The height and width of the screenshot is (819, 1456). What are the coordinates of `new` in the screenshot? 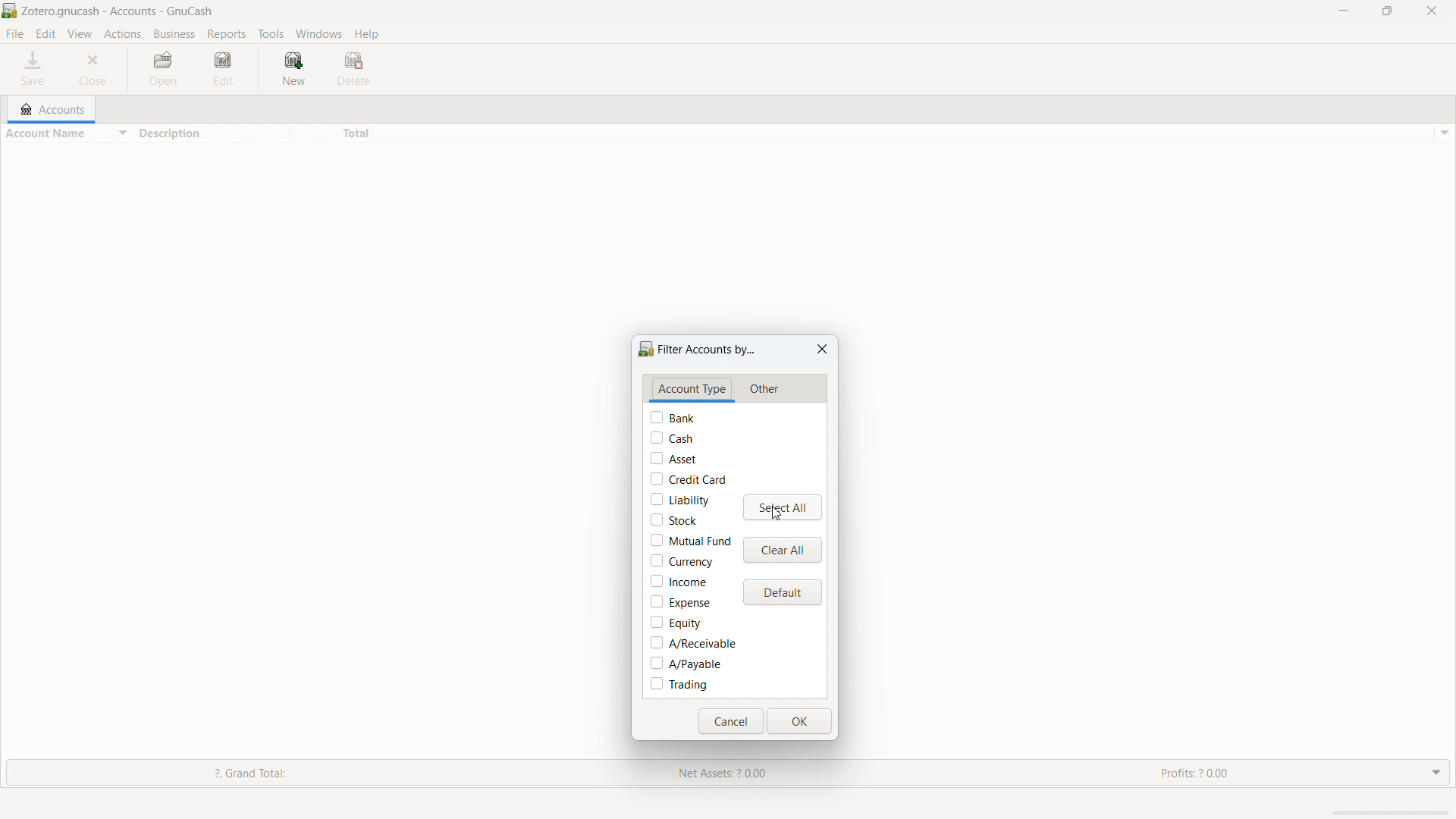 It's located at (292, 67).